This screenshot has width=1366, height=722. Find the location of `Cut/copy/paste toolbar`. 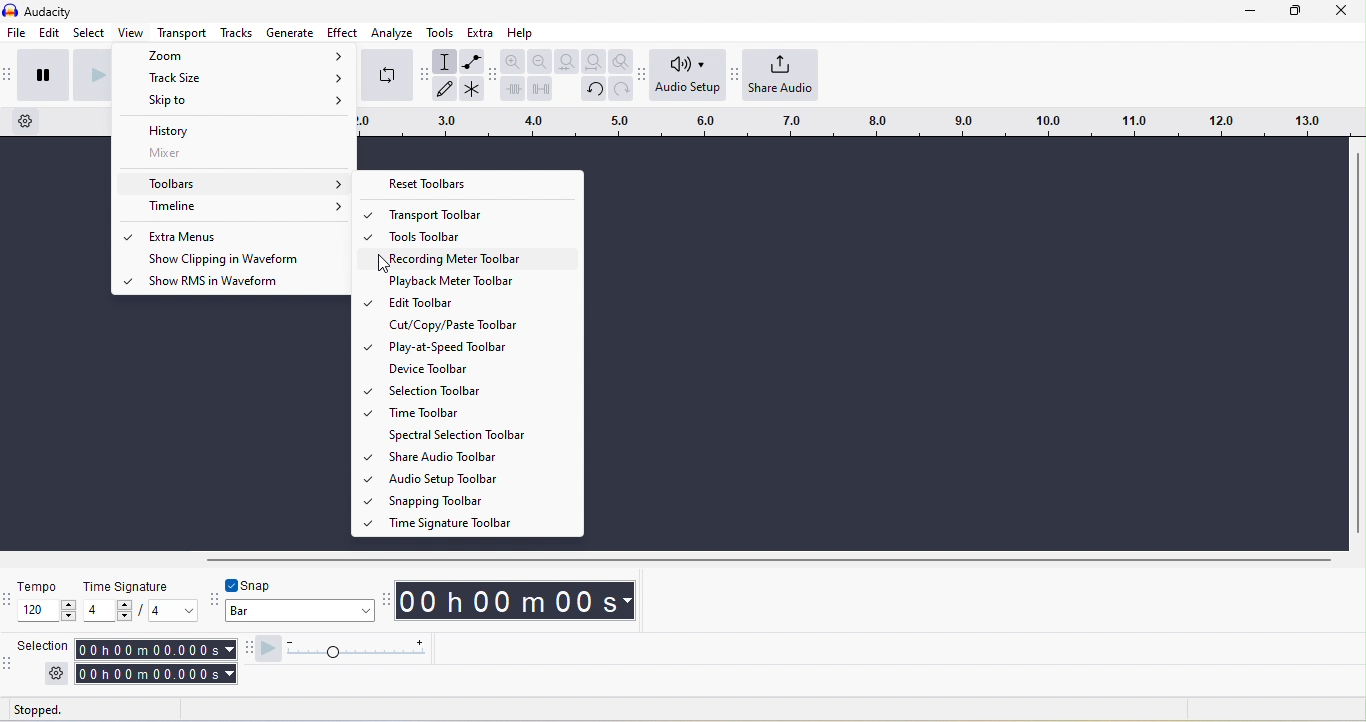

Cut/copy/paste toolbar is located at coordinates (480, 324).